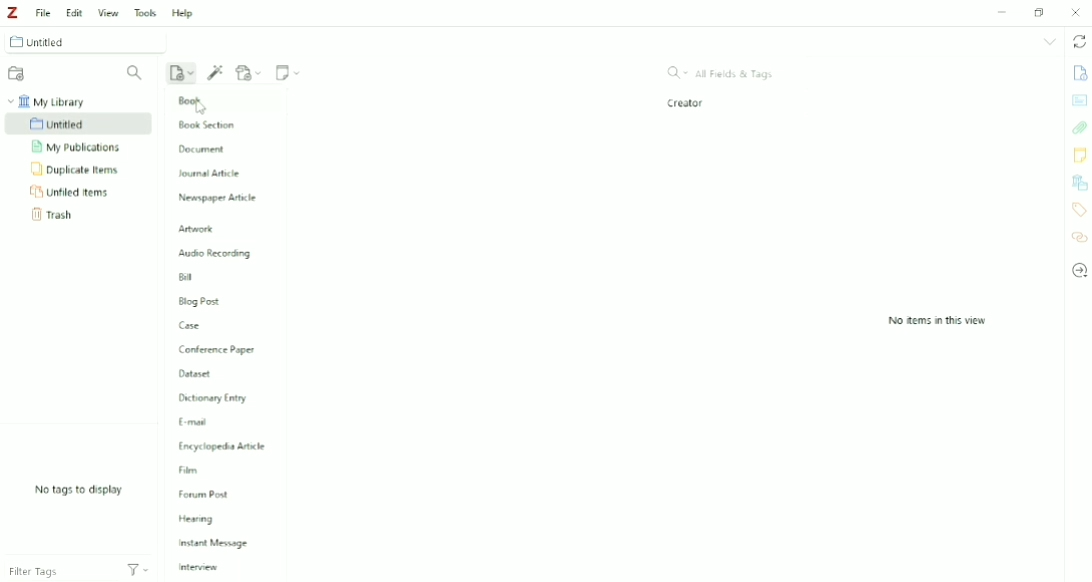 The image size is (1092, 582). Describe the element at coordinates (937, 321) in the screenshot. I see `No items in this view` at that location.